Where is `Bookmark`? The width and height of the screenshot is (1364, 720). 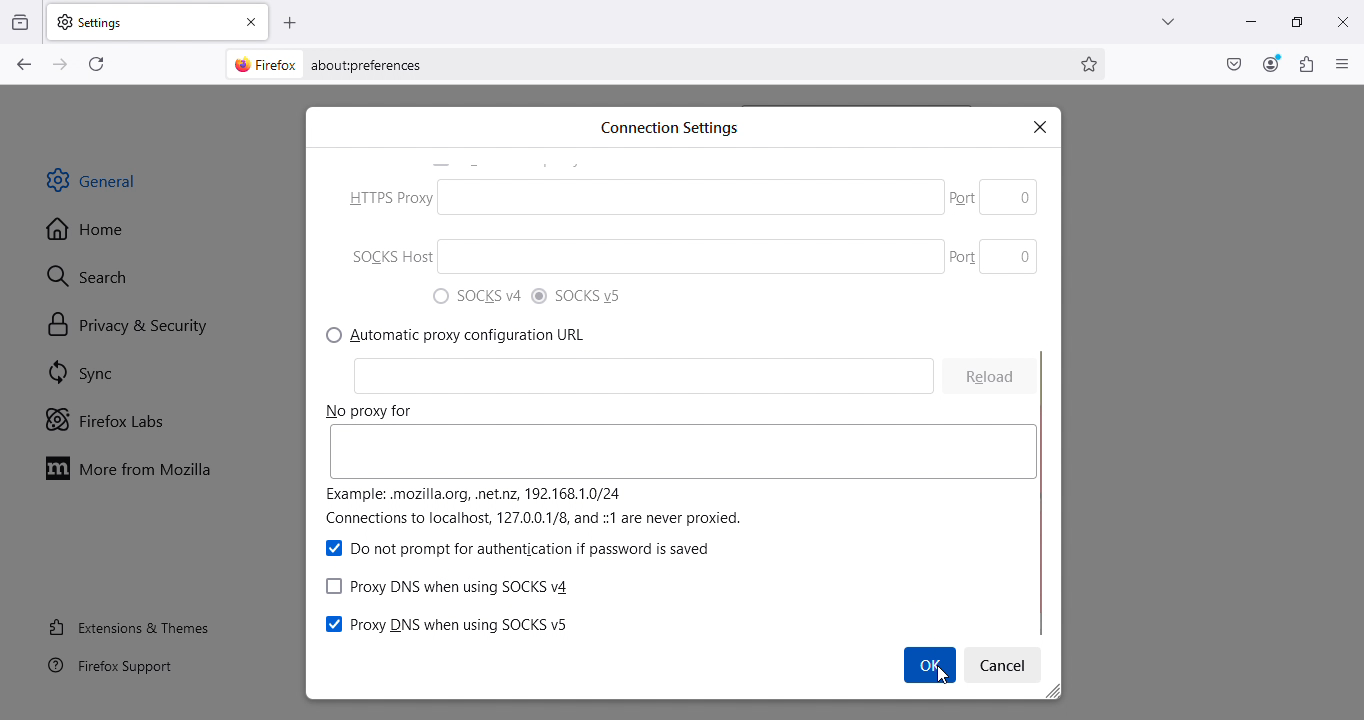
Bookmark is located at coordinates (1091, 64).